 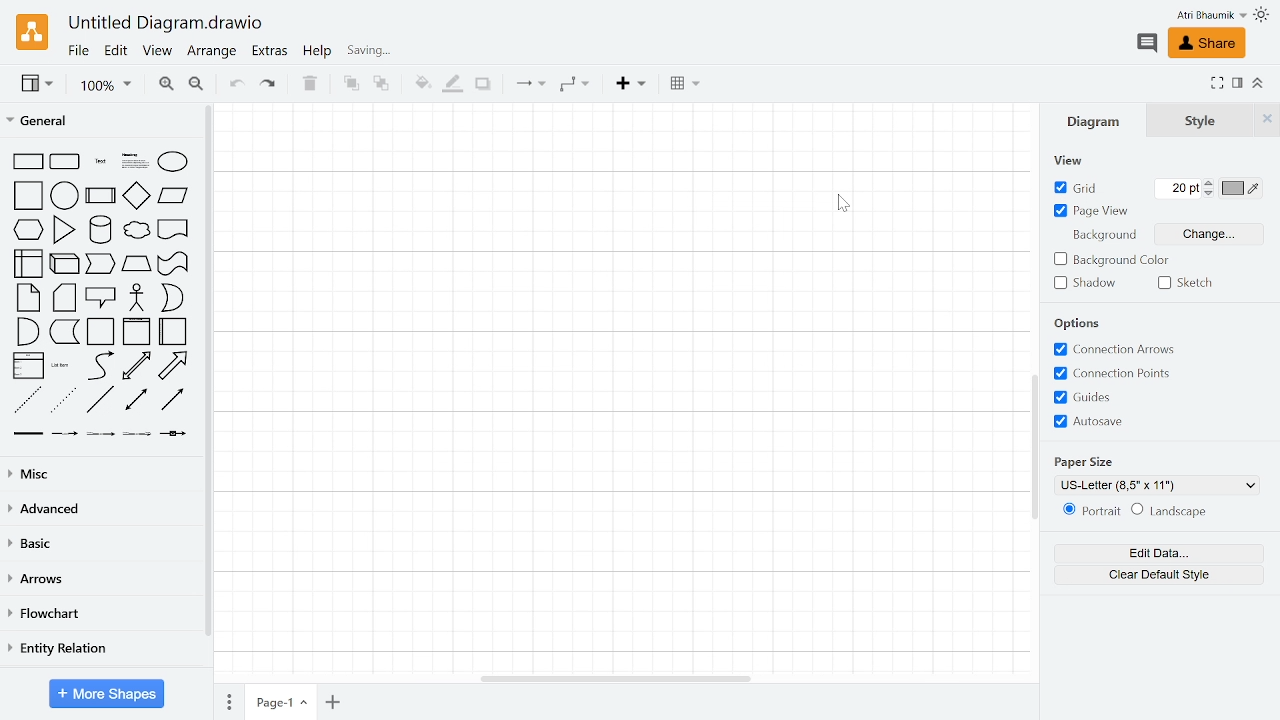 I want to click on Waypoints, so click(x=576, y=85).